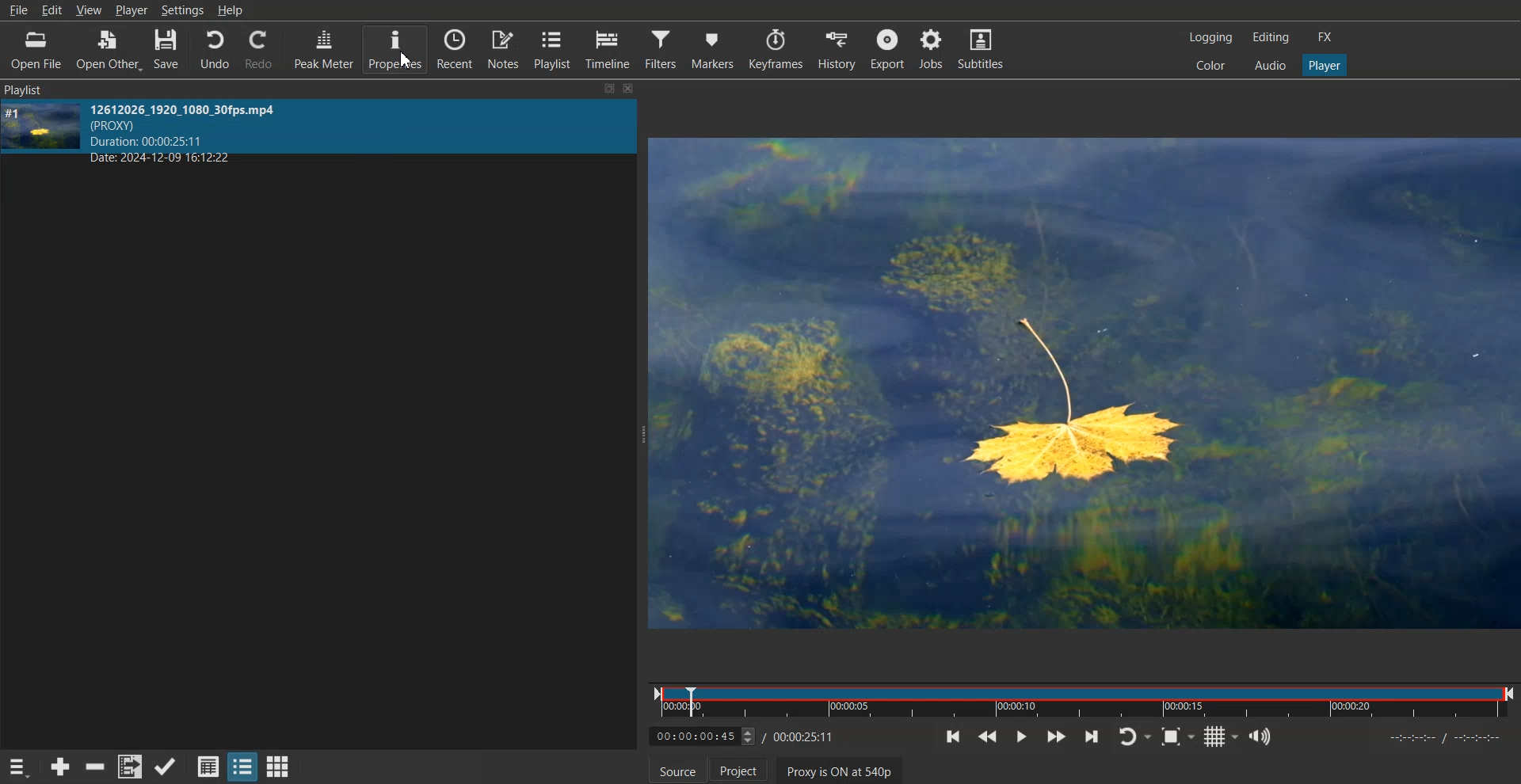 The image size is (1521, 784). Describe the element at coordinates (396, 50) in the screenshot. I see `Properties` at that location.